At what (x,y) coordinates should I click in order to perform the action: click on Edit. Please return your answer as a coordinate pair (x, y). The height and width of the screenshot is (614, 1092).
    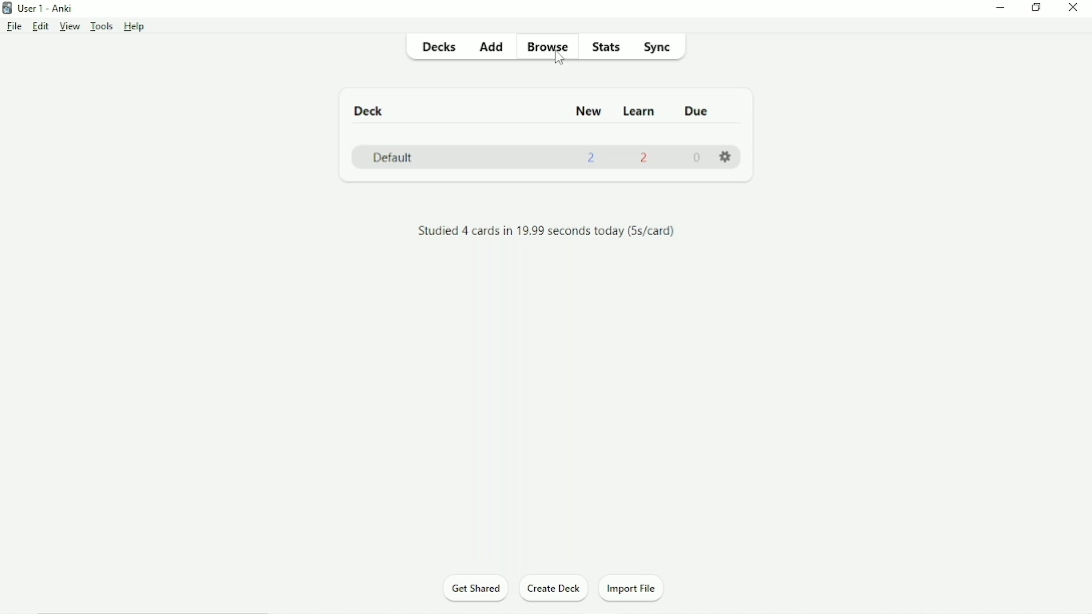
    Looking at the image, I should click on (41, 27).